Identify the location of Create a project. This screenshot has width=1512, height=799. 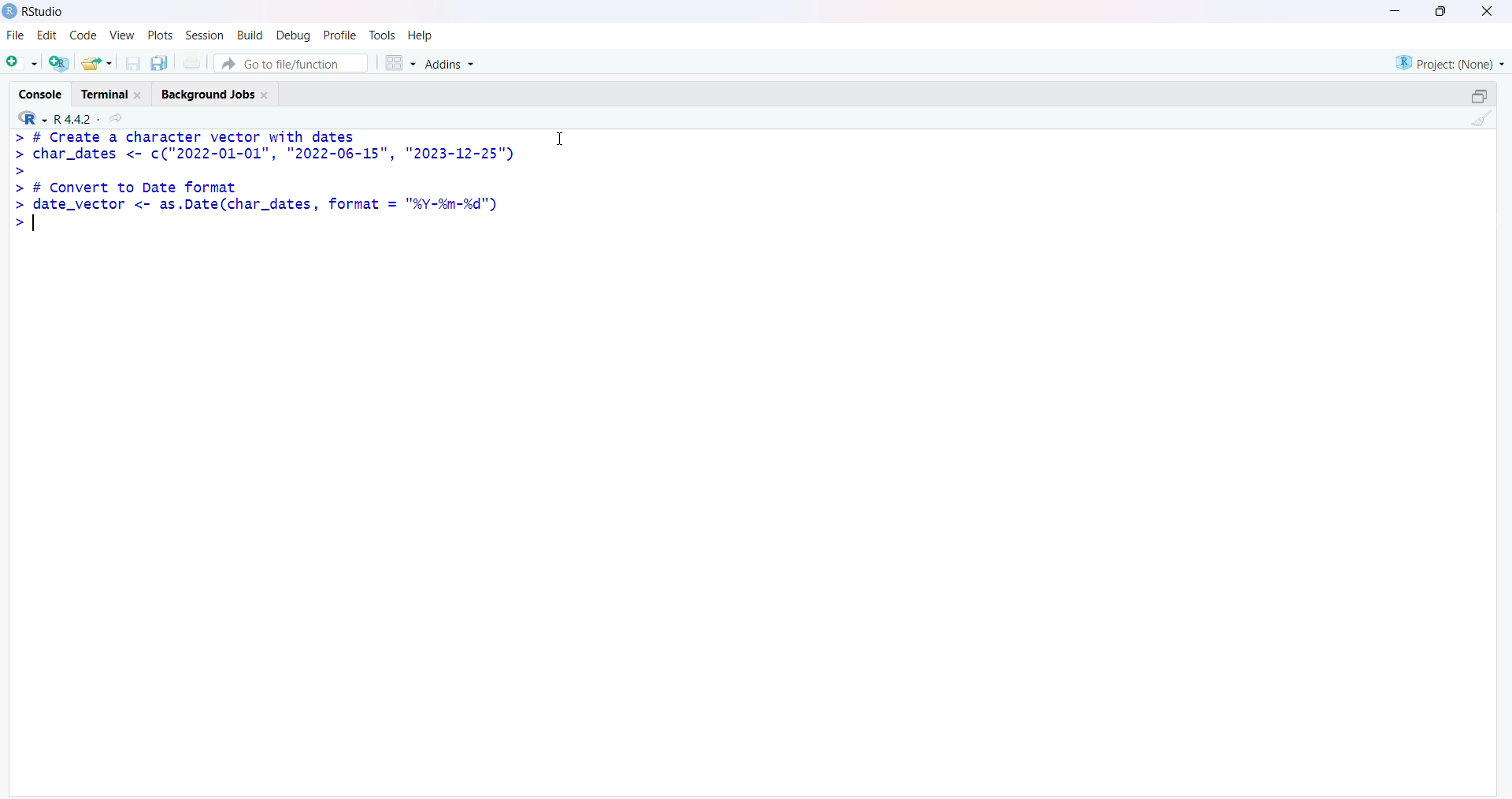
(62, 61).